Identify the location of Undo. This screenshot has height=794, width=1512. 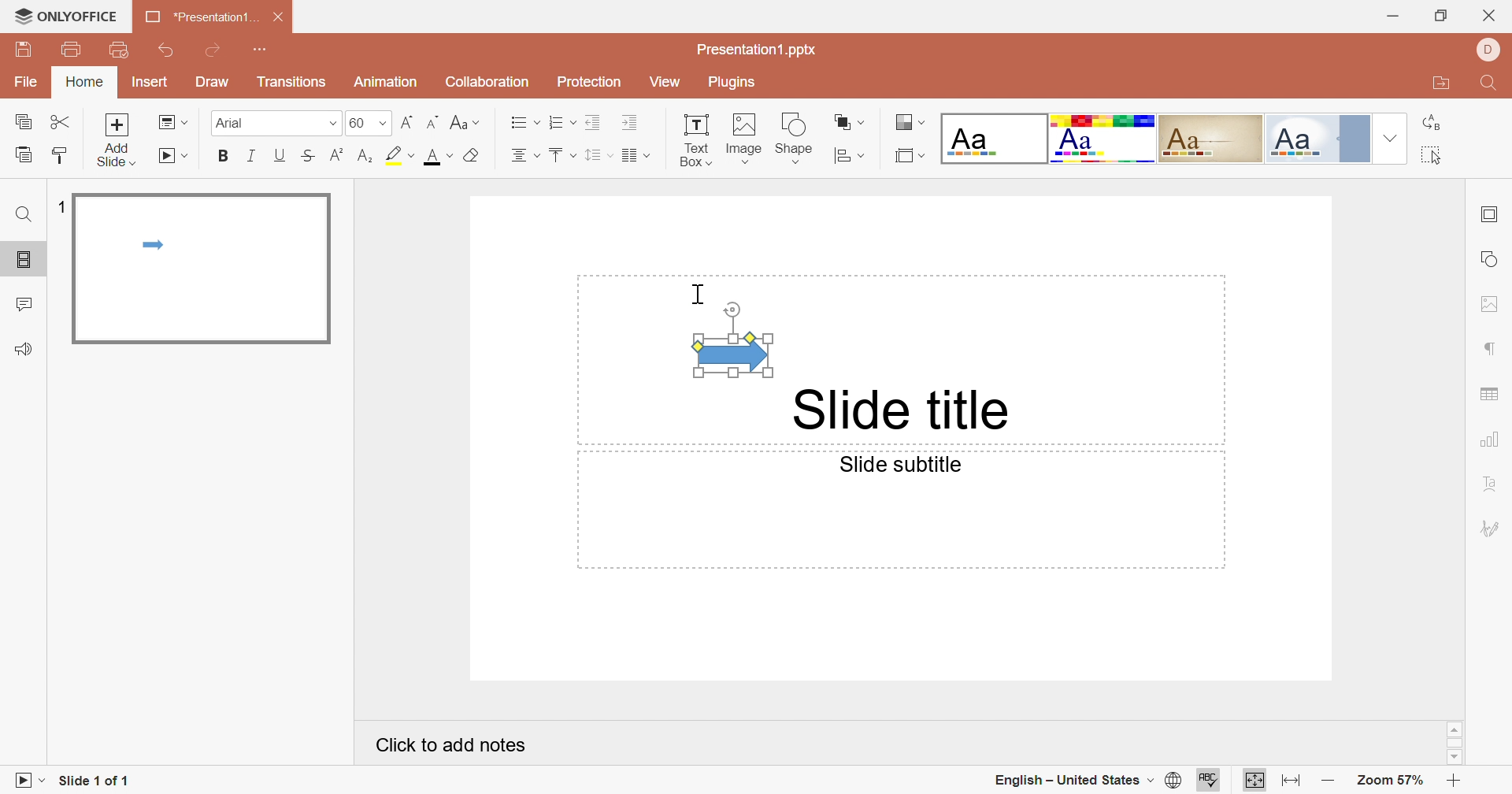
(169, 52).